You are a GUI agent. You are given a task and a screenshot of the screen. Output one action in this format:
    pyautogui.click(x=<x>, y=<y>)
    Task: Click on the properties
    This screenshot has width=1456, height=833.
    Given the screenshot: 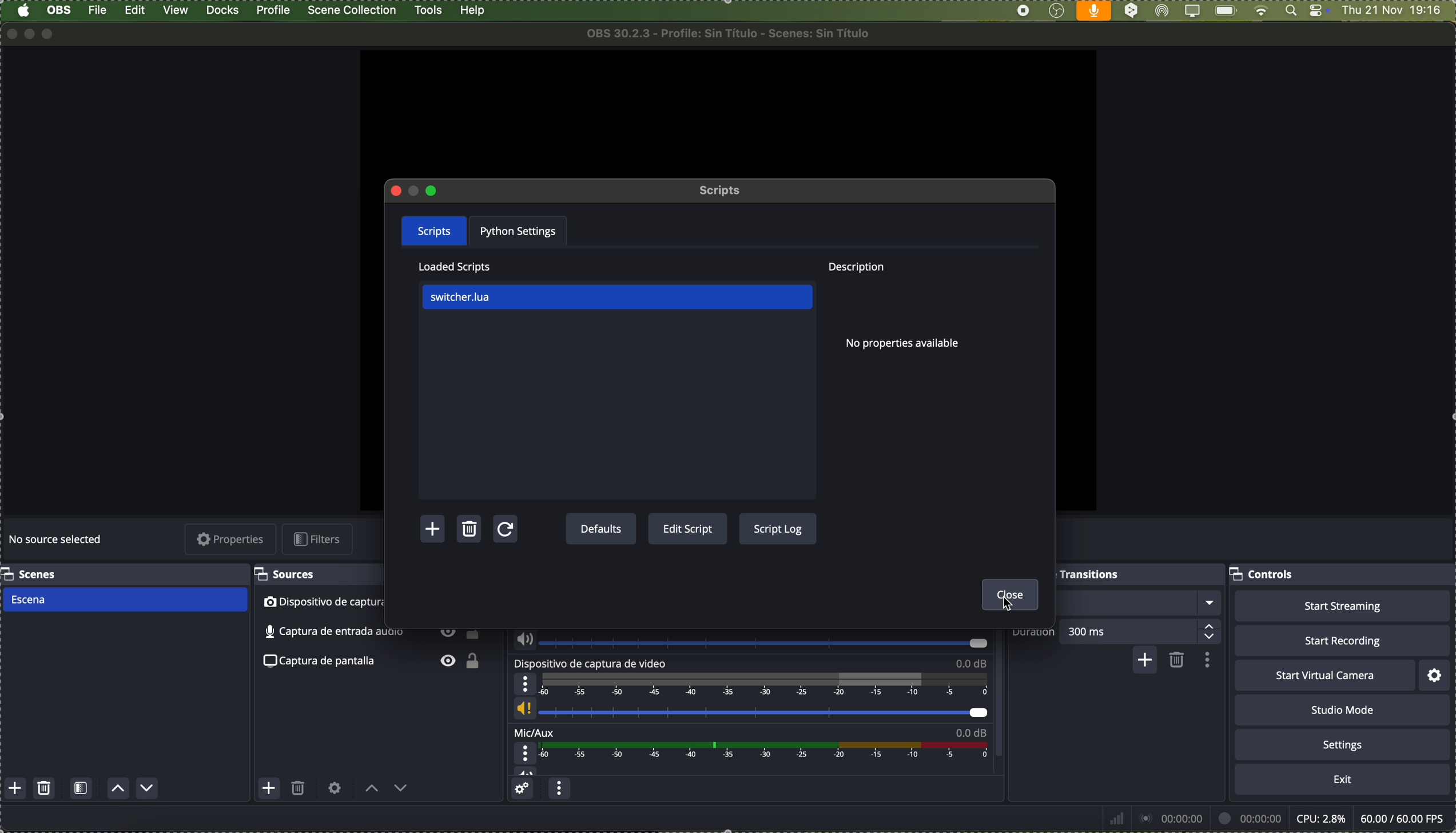 What is the action you would take?
    pyautogui.click(x=232, y=540)
    